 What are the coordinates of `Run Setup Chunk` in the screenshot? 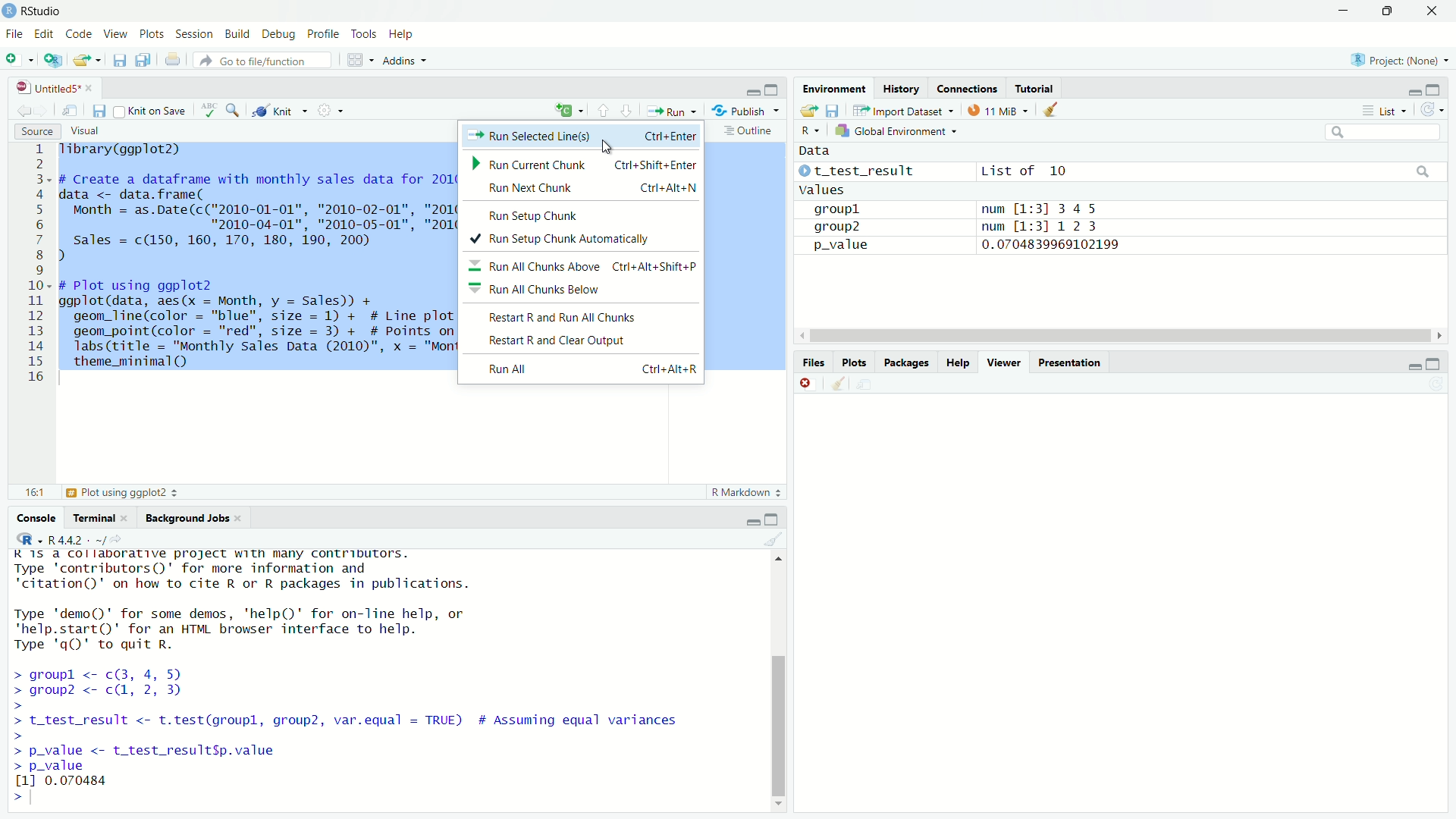 It's located at (542, 215).